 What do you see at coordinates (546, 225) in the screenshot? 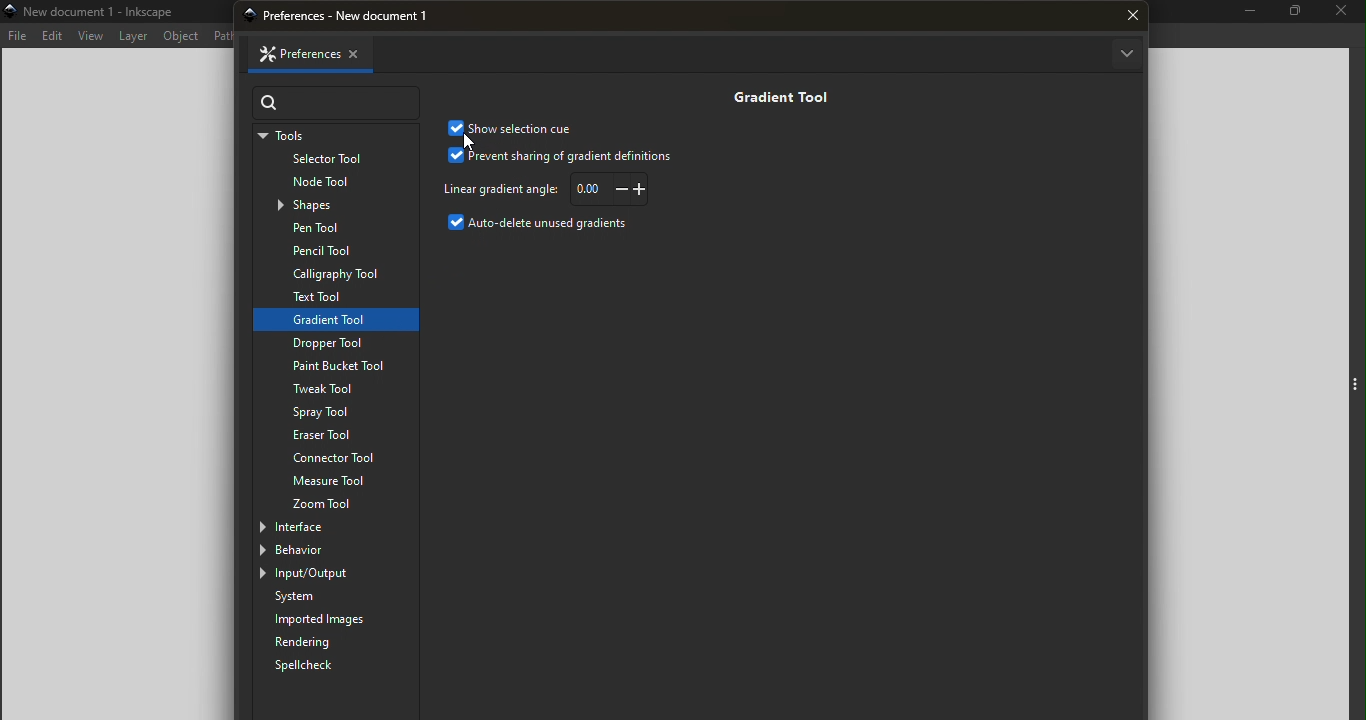
I see `Auto-delete unused gradients` at bounding box center [546, 225].